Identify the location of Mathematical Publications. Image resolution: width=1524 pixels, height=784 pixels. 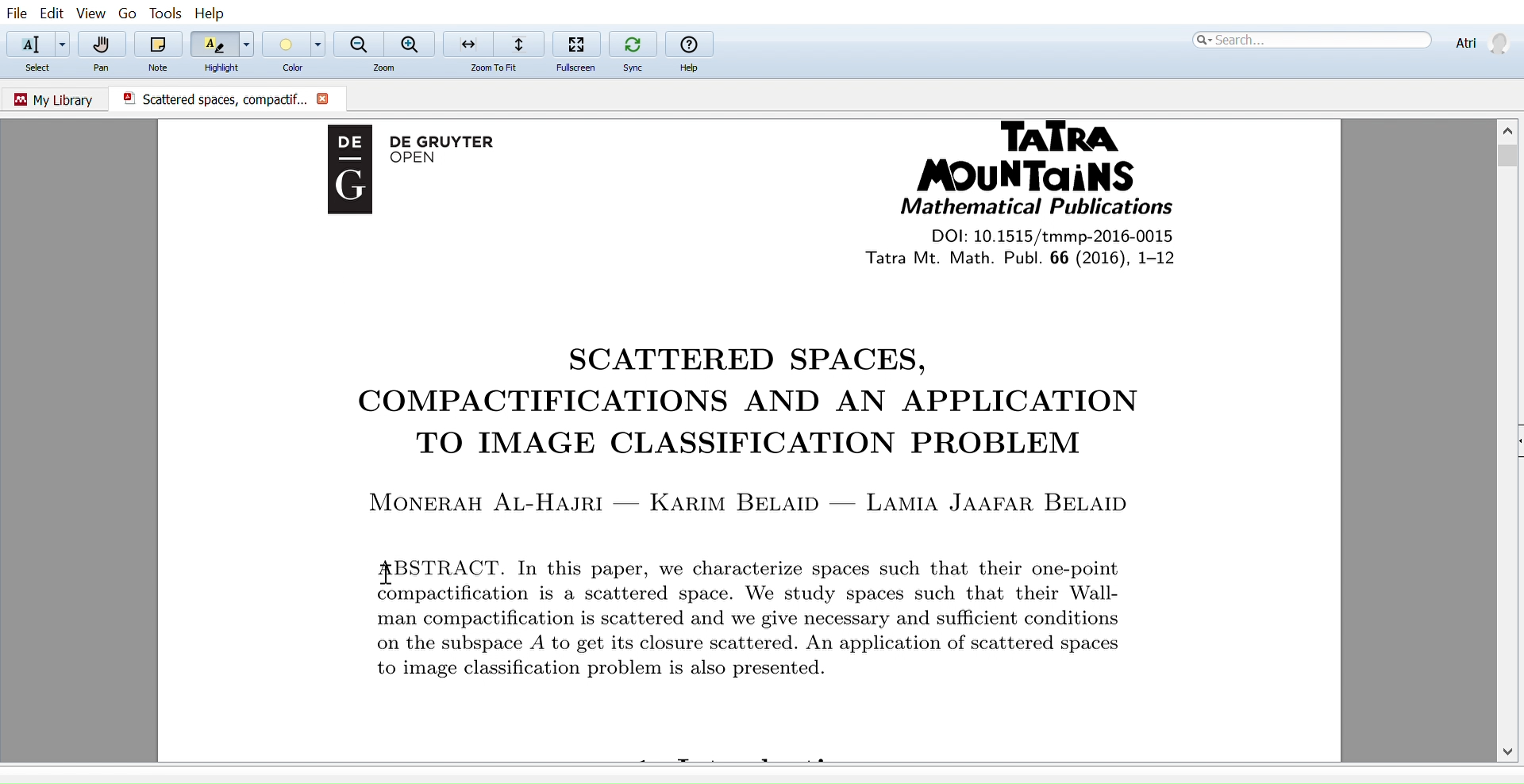
(1036, 208).